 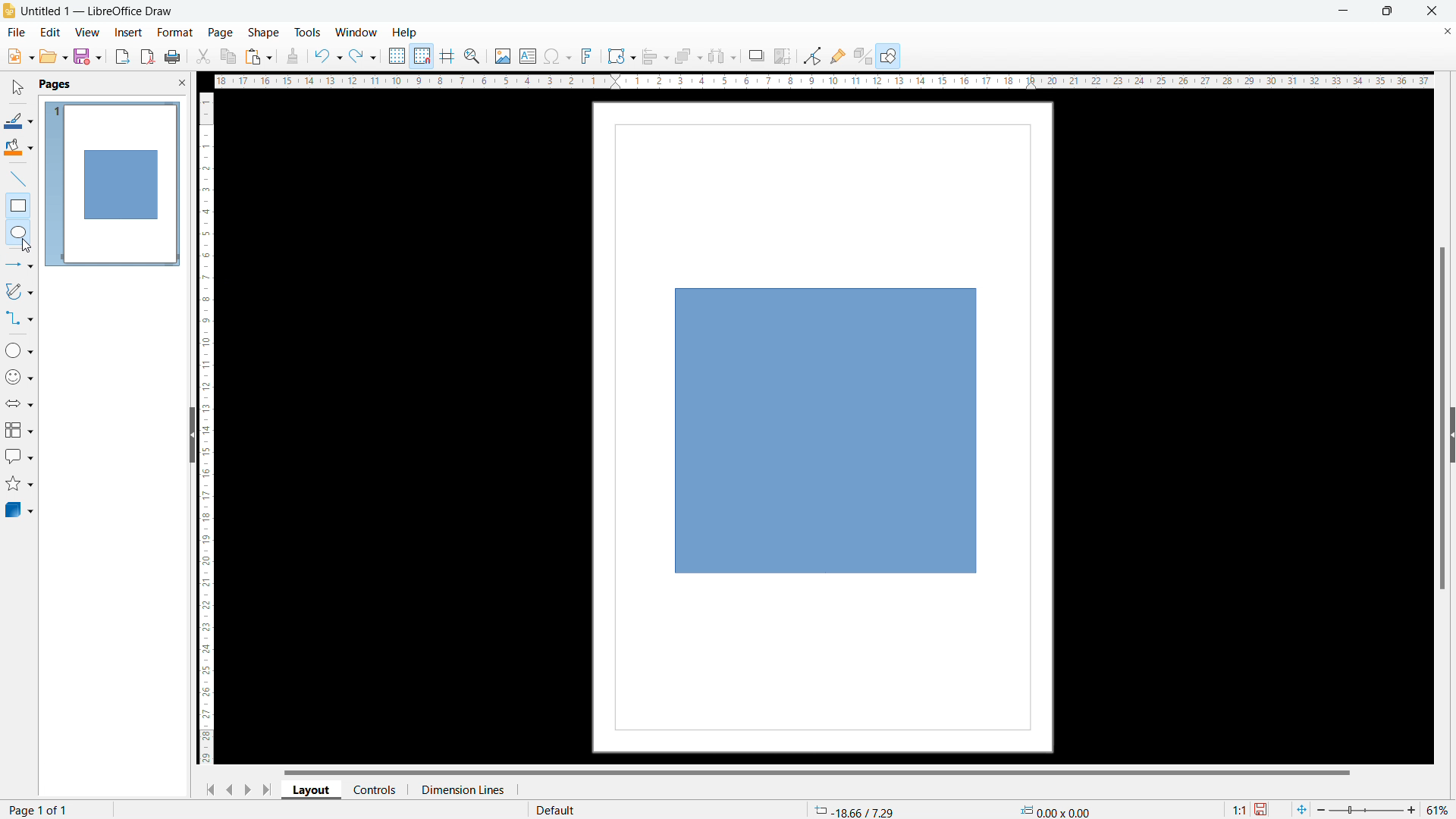 What do you see at coordinates (1056, 808) in the screenshot?
I see `dimension of selection` at bounding box center [1056, 808].